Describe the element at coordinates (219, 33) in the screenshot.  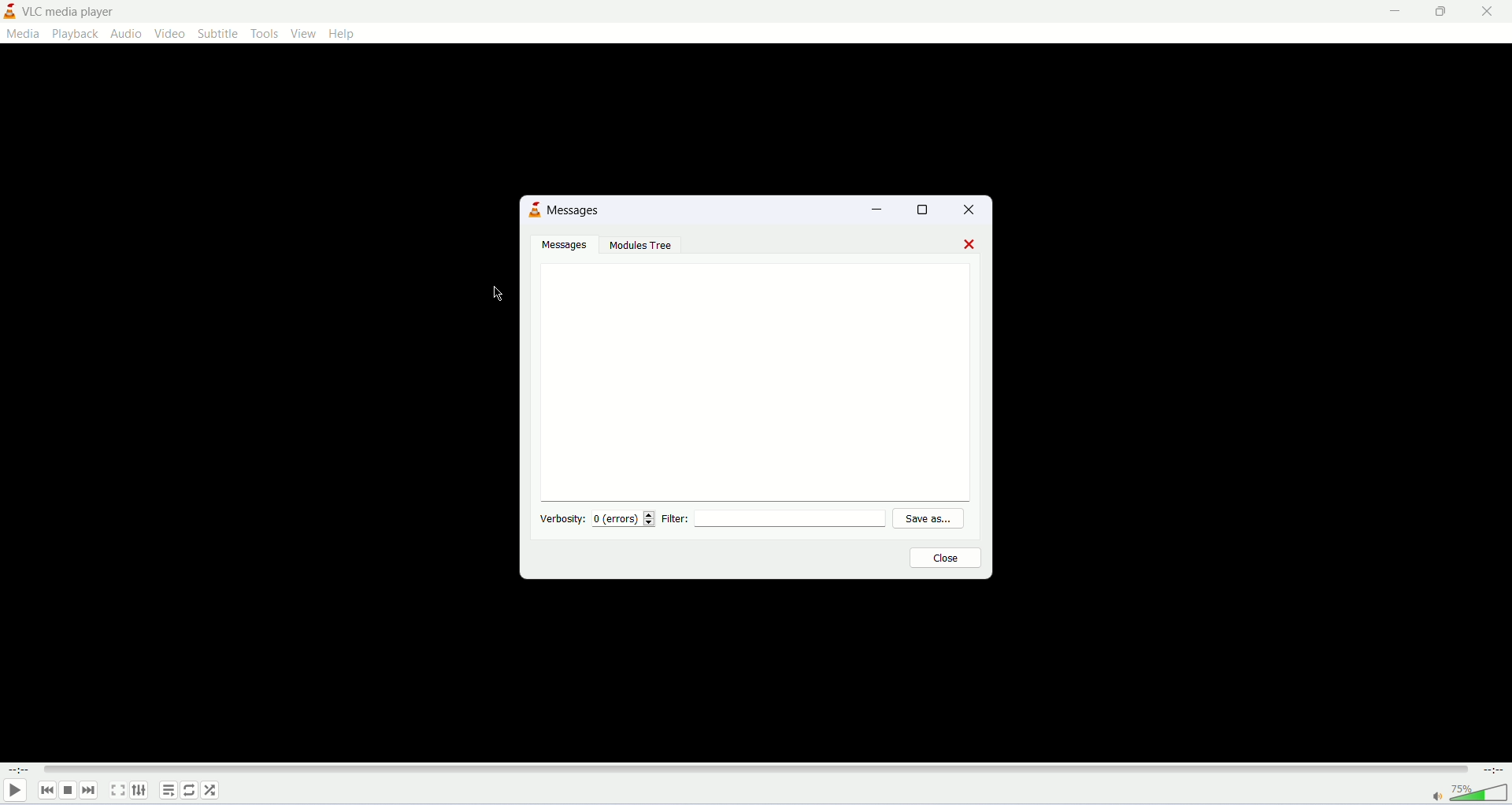
I see `subtitle` at that location.